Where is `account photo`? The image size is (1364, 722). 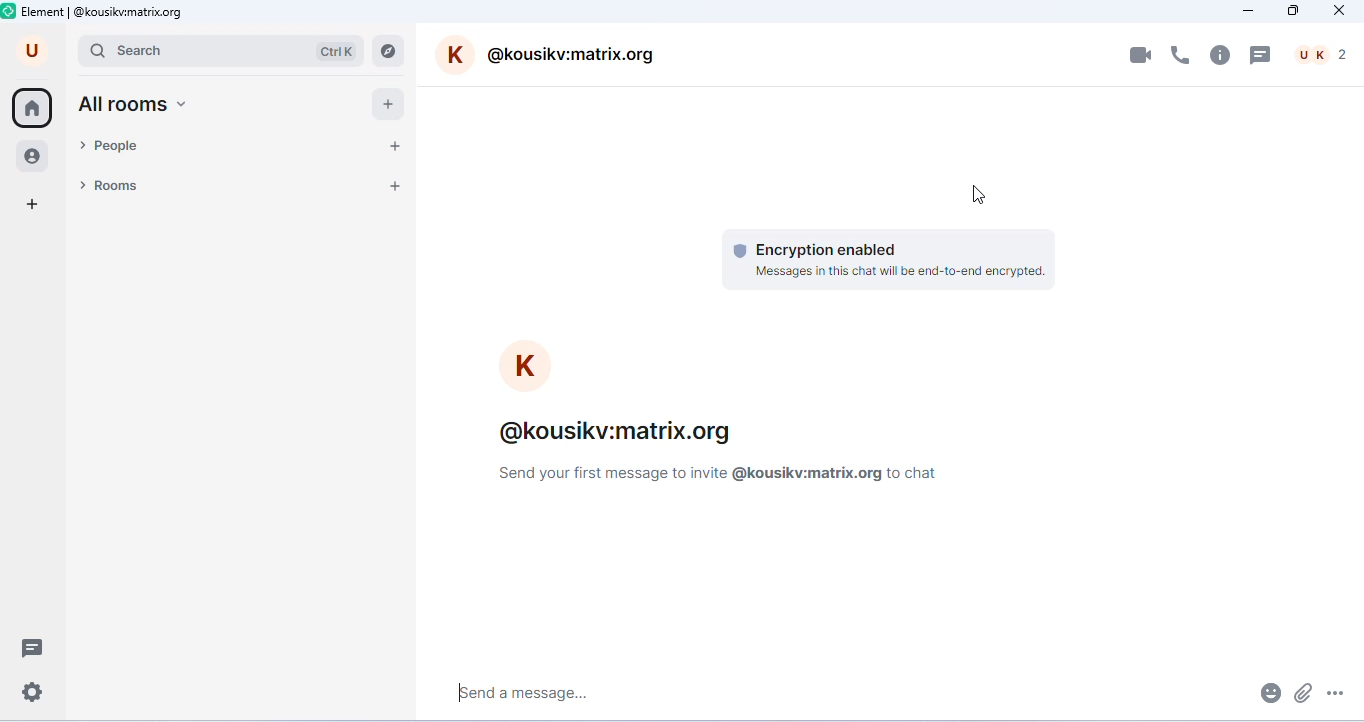 account photo is located at coordinates (526, 367).